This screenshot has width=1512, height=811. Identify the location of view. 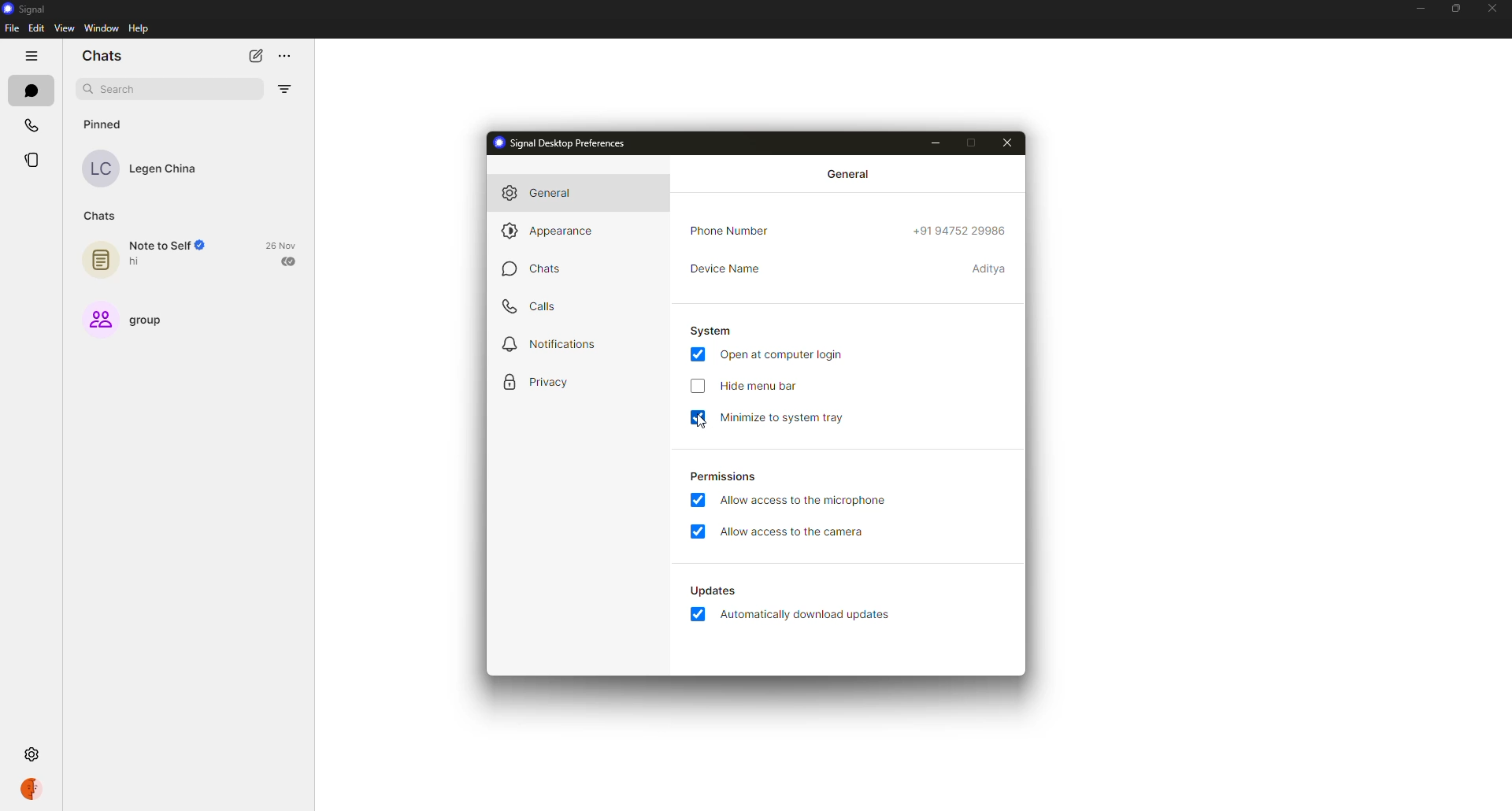
(65, 30).